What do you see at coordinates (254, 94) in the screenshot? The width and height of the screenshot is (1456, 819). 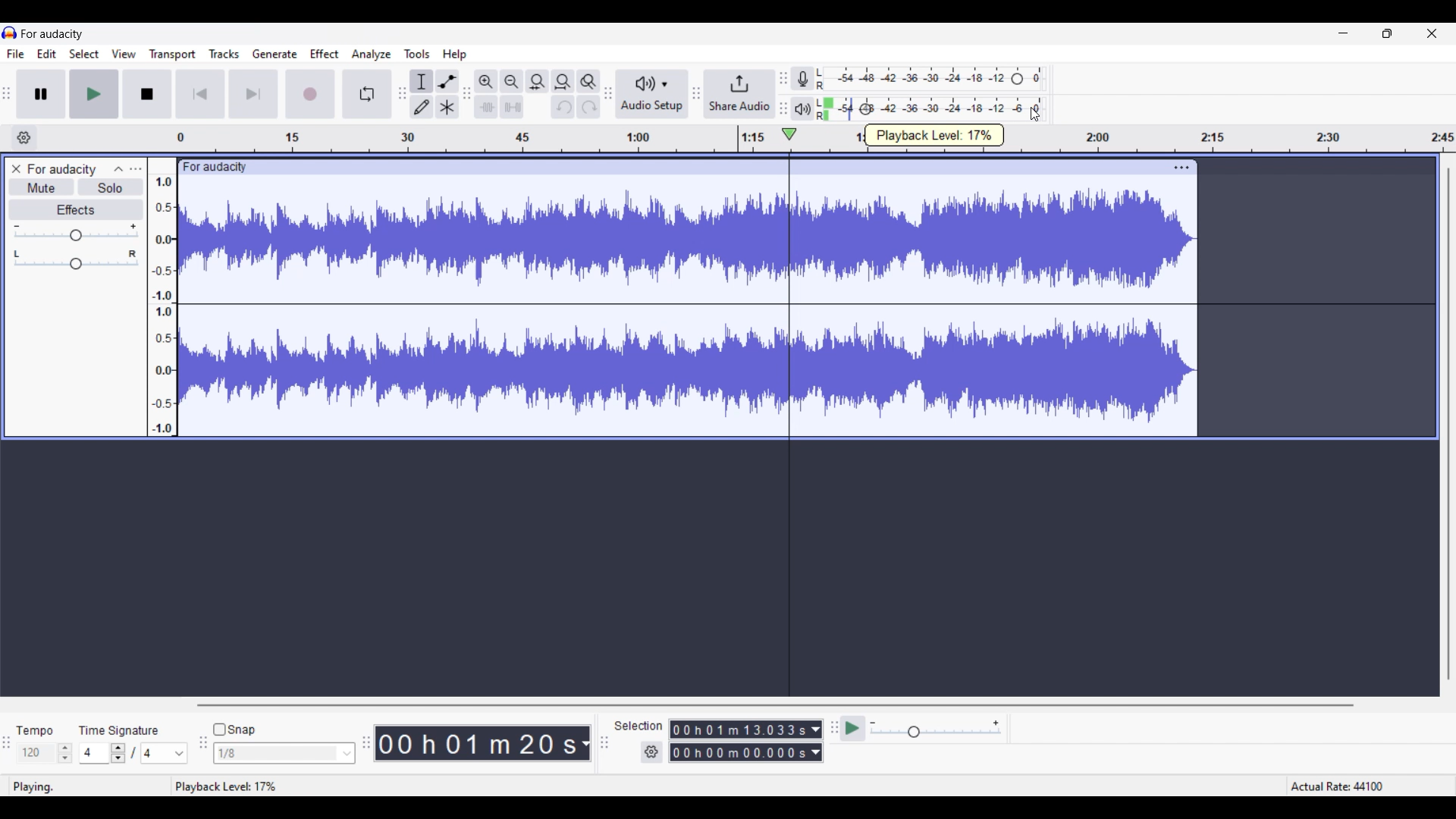 I see `Skip/Select to end` at bounding box center [254, 94].